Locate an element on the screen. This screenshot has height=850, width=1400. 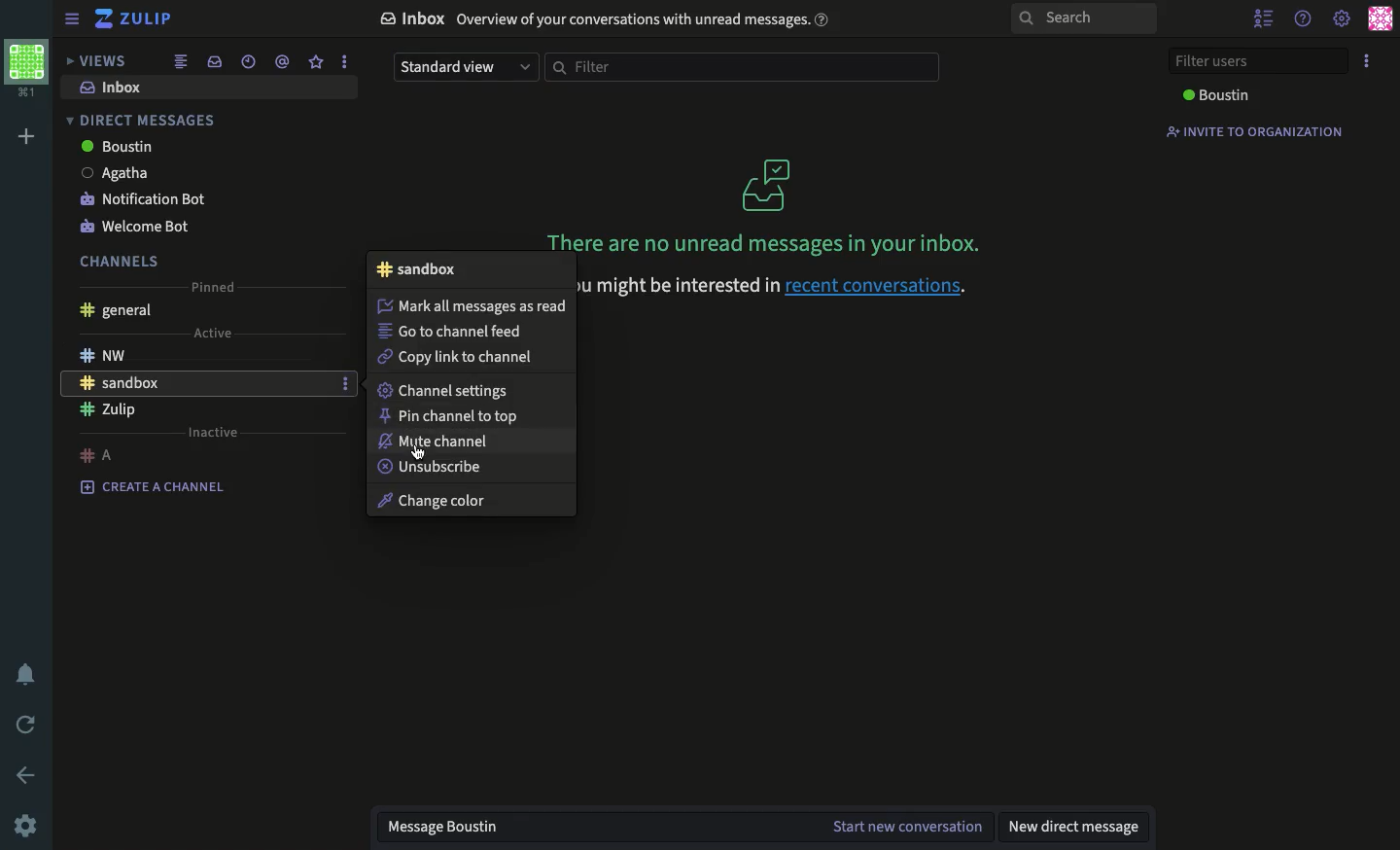
standard view is located at coordinates (467, 67).